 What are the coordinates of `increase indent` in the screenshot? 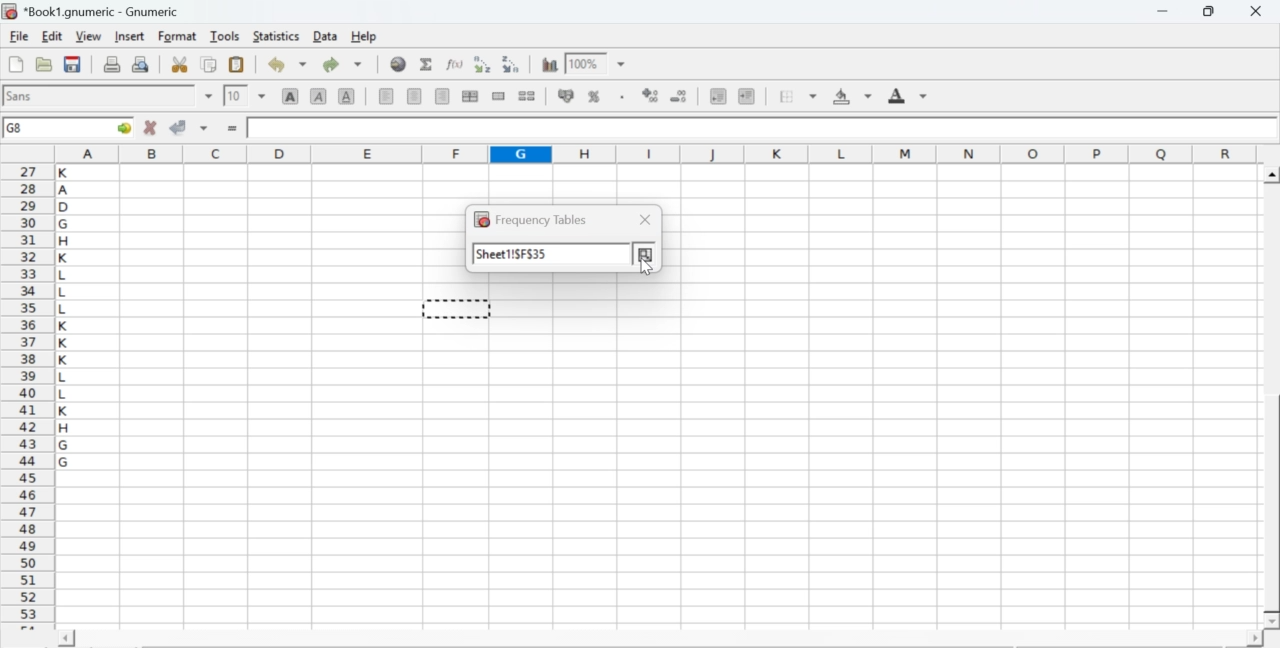 It's located at (746, 97).